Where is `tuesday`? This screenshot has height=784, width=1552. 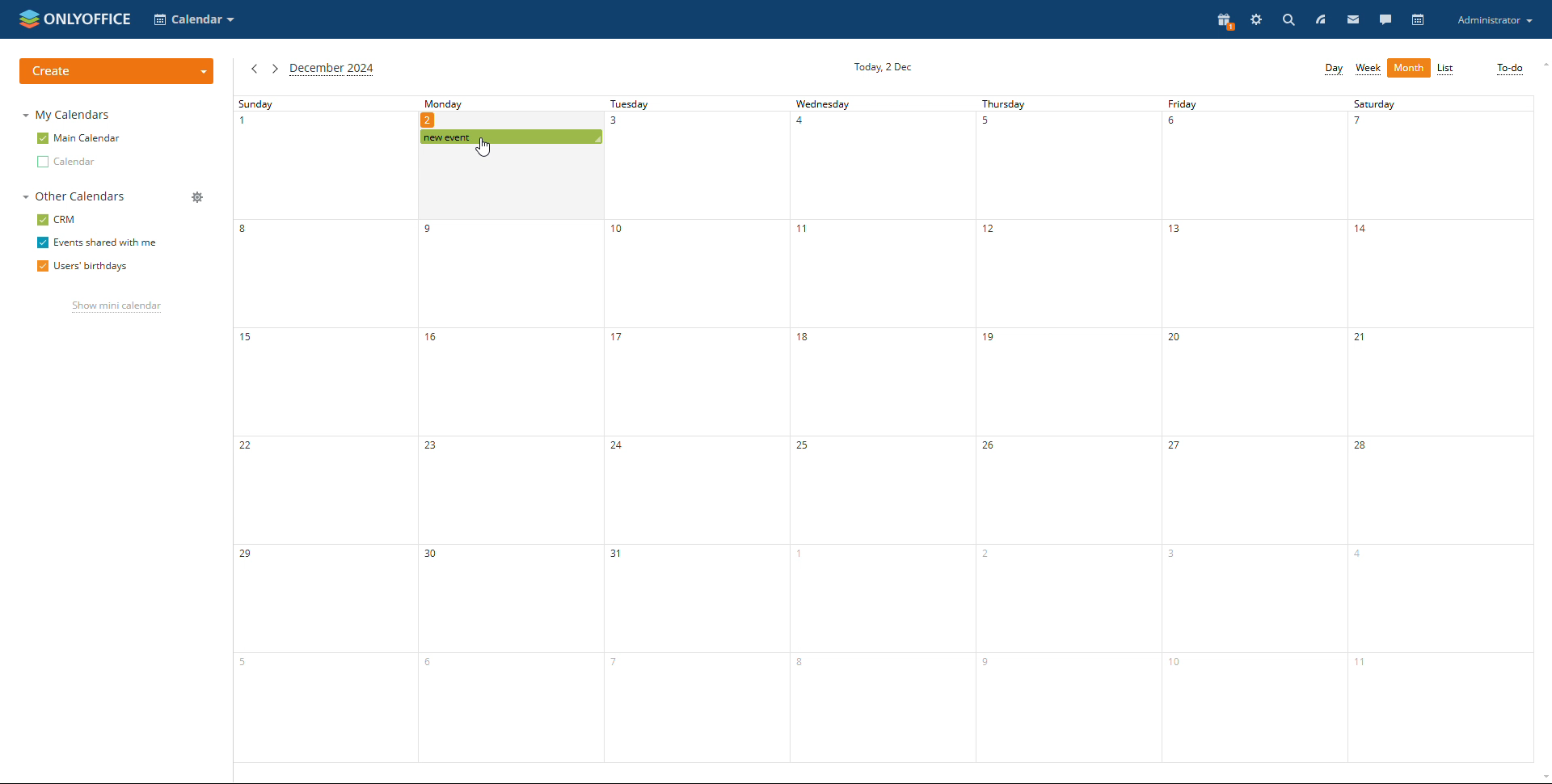 tuesday is located at coordinates (698, 427).